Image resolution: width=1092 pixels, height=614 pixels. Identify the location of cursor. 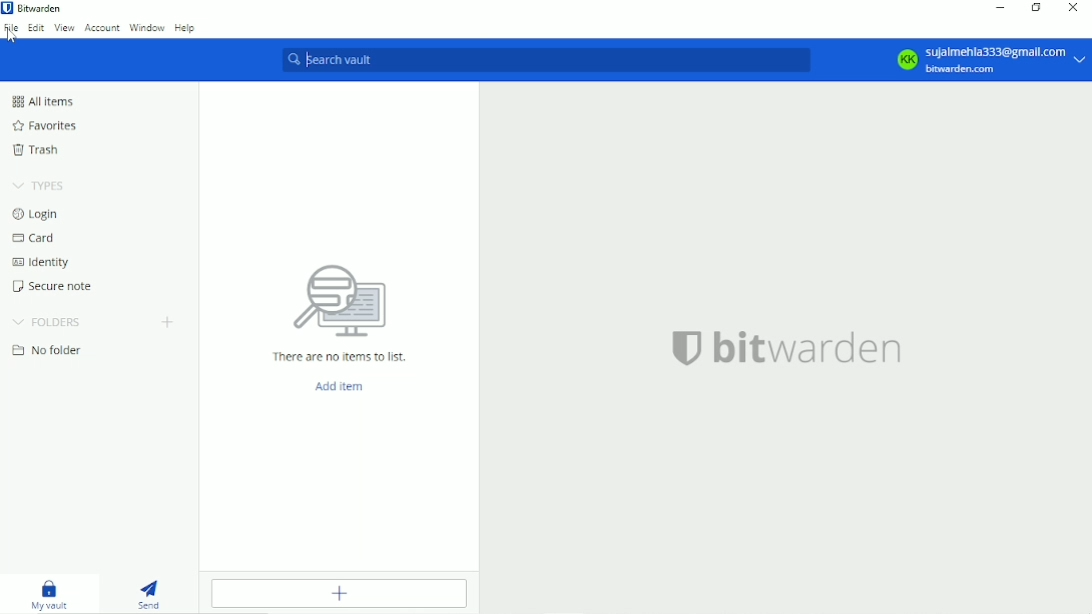
(13, 36).